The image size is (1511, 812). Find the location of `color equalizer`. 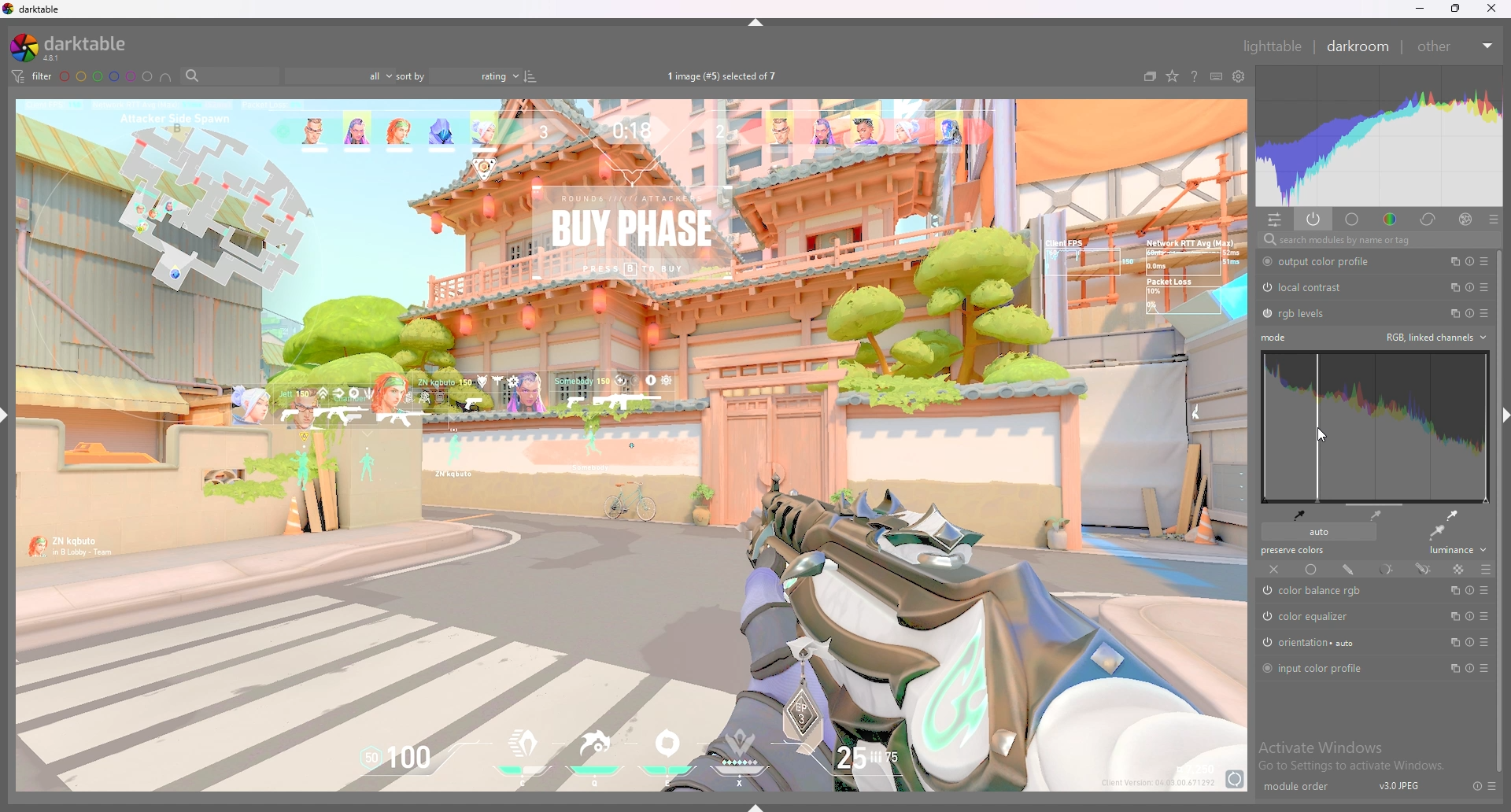

color equalizer is located at coordinates (1315, 618).